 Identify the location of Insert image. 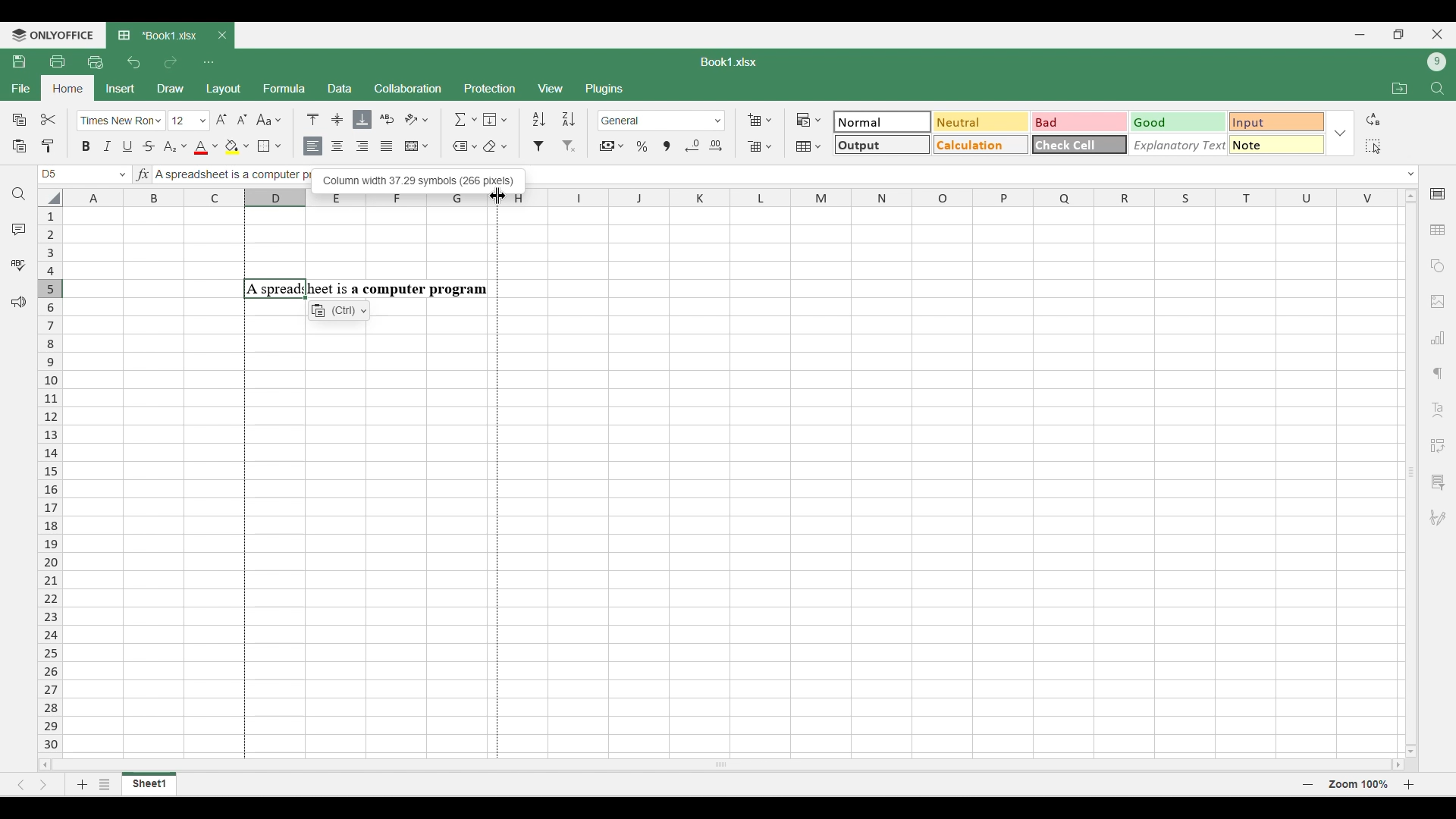
(1439, 303).